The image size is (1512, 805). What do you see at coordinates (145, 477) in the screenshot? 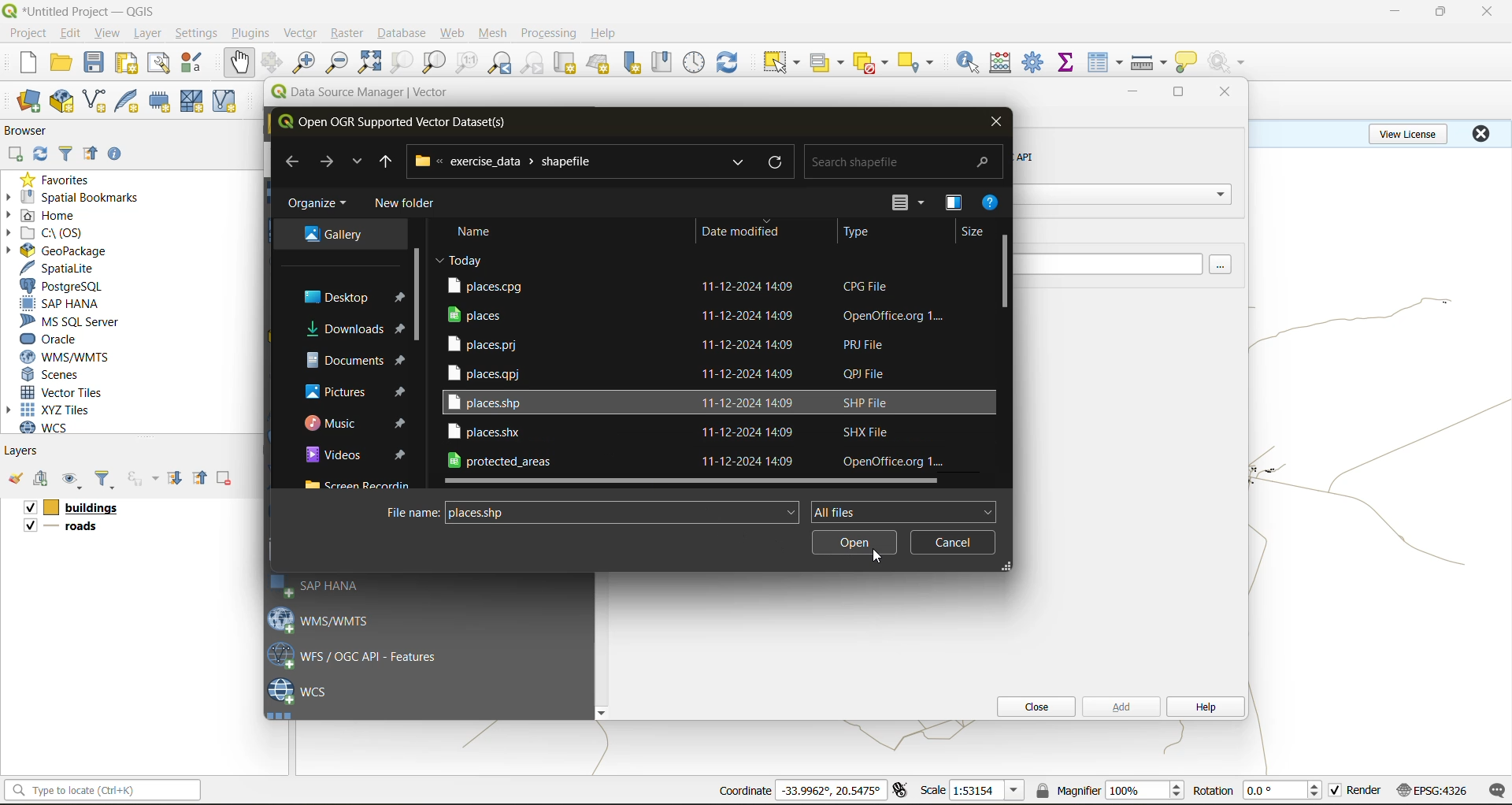
I see `filter by expression` at bounding box center [145, 477].